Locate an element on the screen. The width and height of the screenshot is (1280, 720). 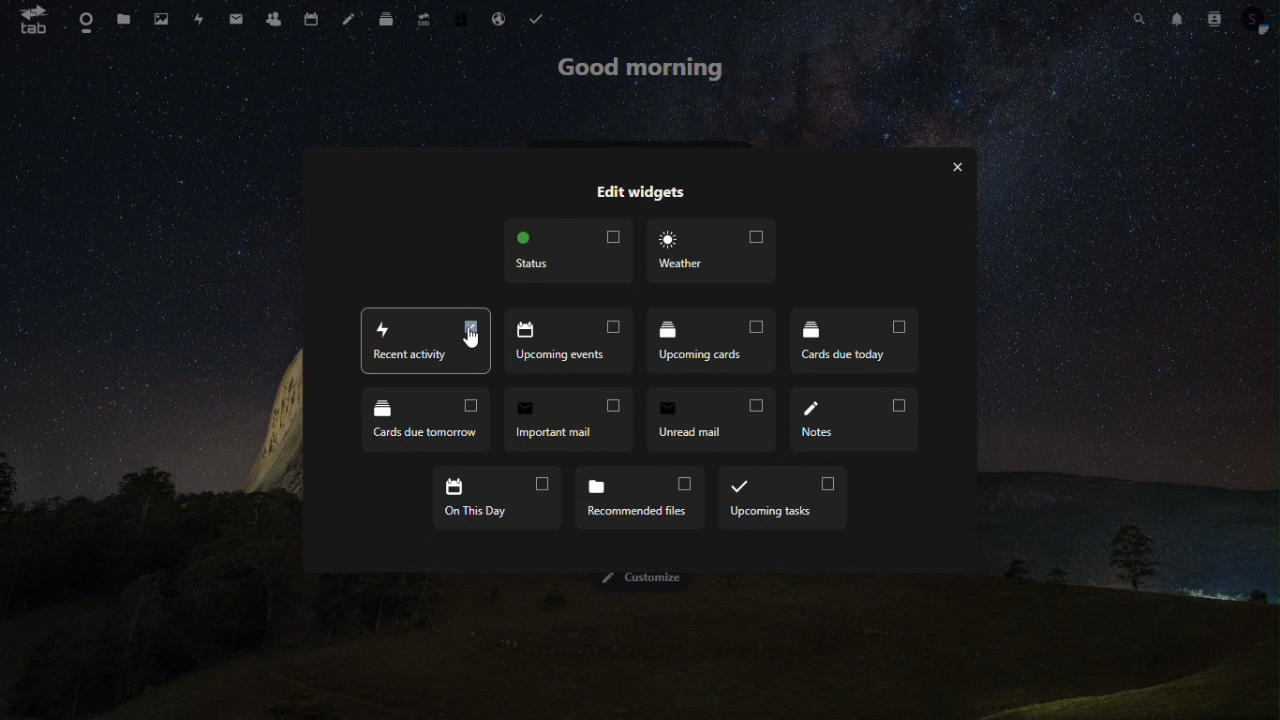
mail is located at coordinates (237, 19).